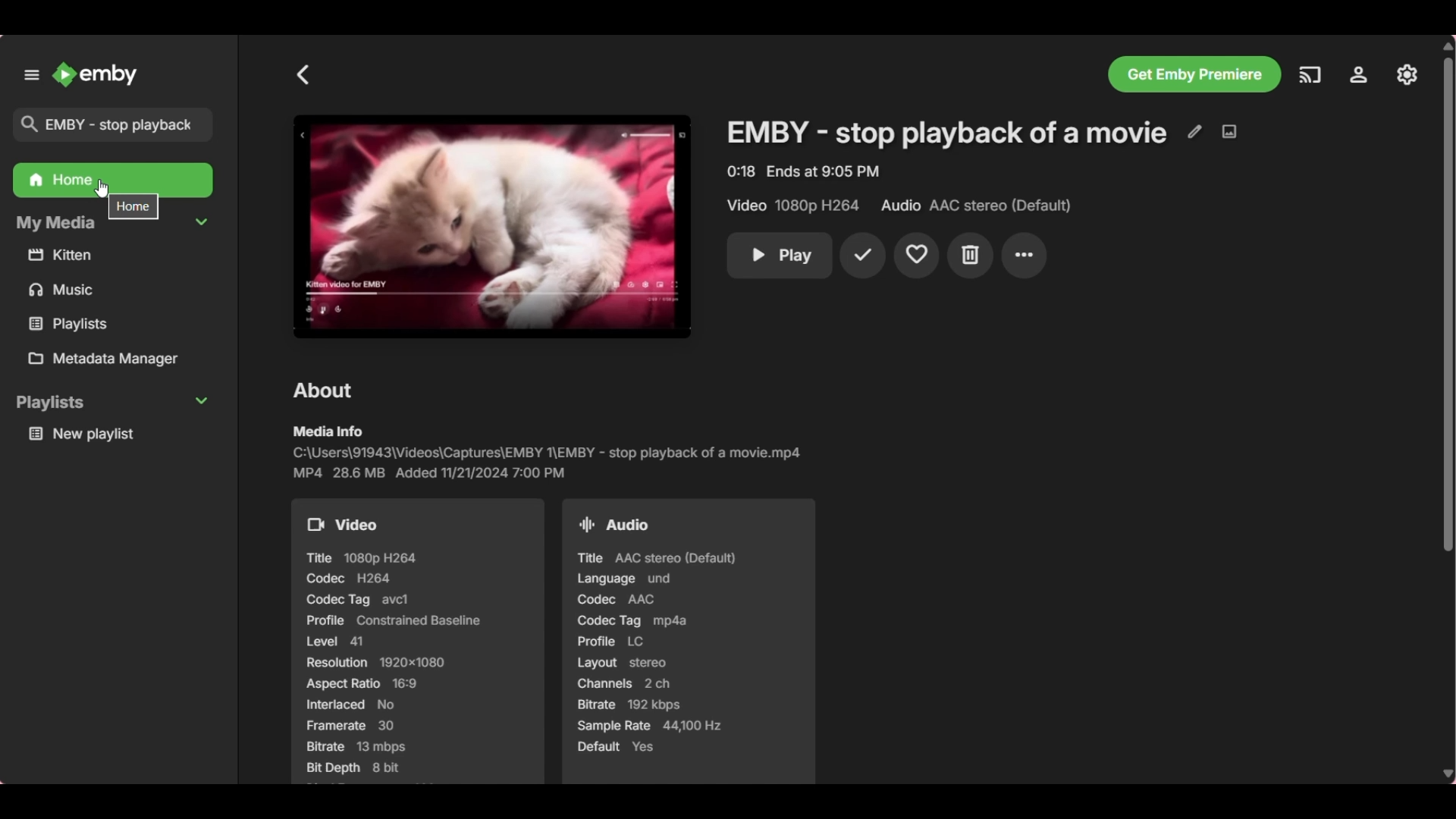  Describe the element at coordinates (916, 256) in the screenshot. I see `Add to favorites` at that location.